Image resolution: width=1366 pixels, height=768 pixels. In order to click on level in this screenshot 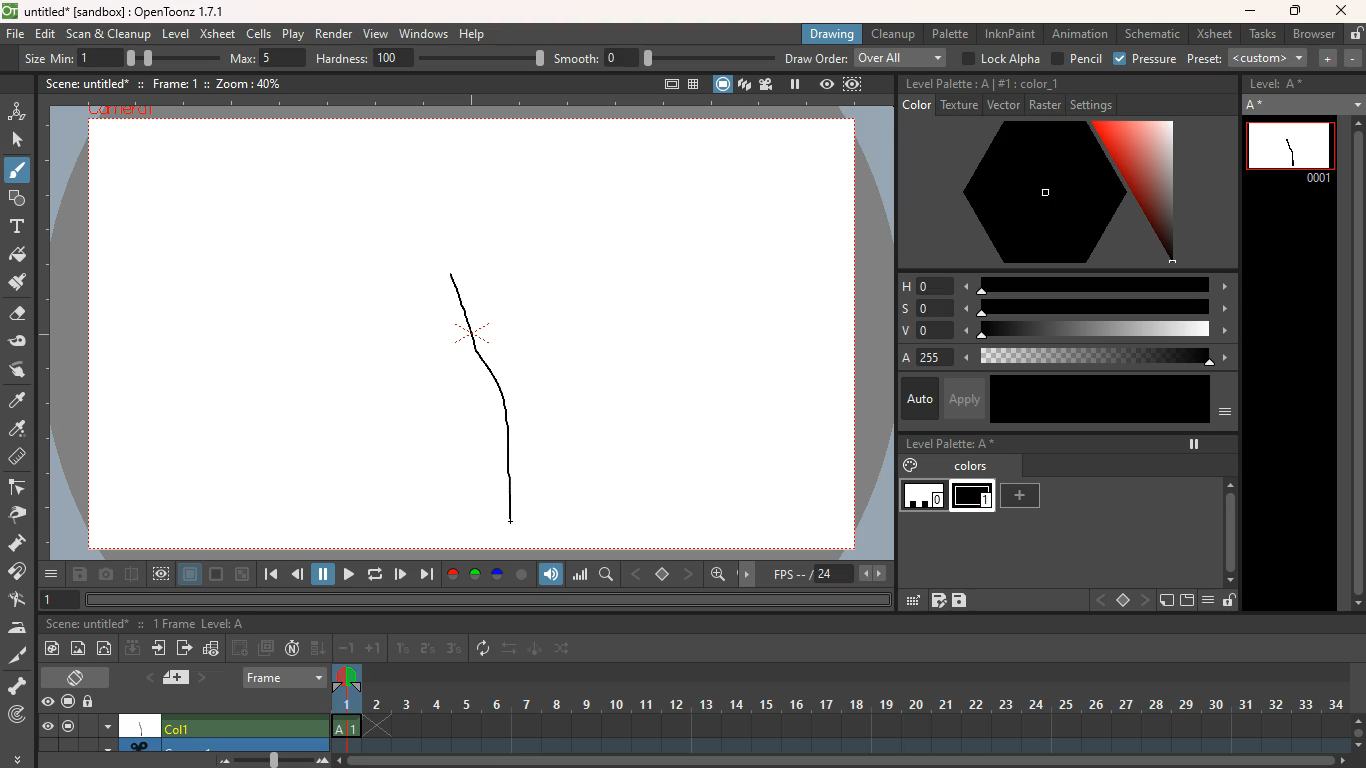, I will do `click(178, 33)`.